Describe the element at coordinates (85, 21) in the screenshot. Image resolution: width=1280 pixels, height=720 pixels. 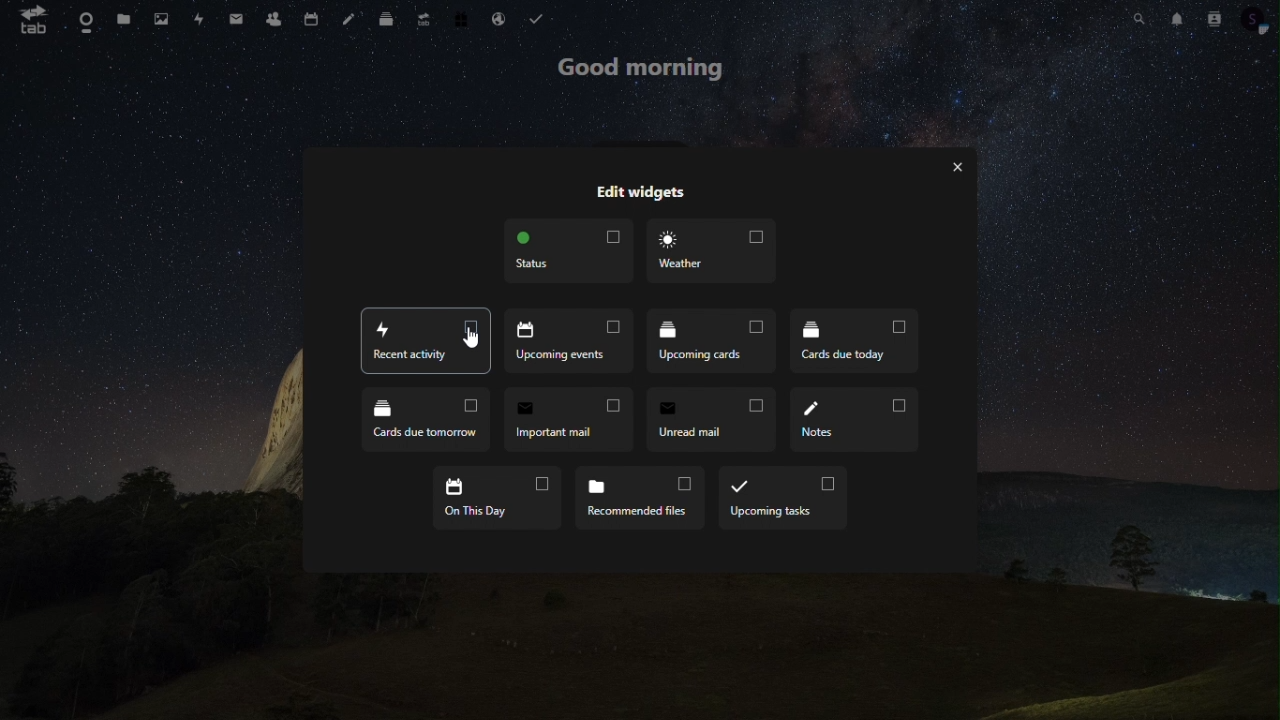
I see `dashboard` at that location.